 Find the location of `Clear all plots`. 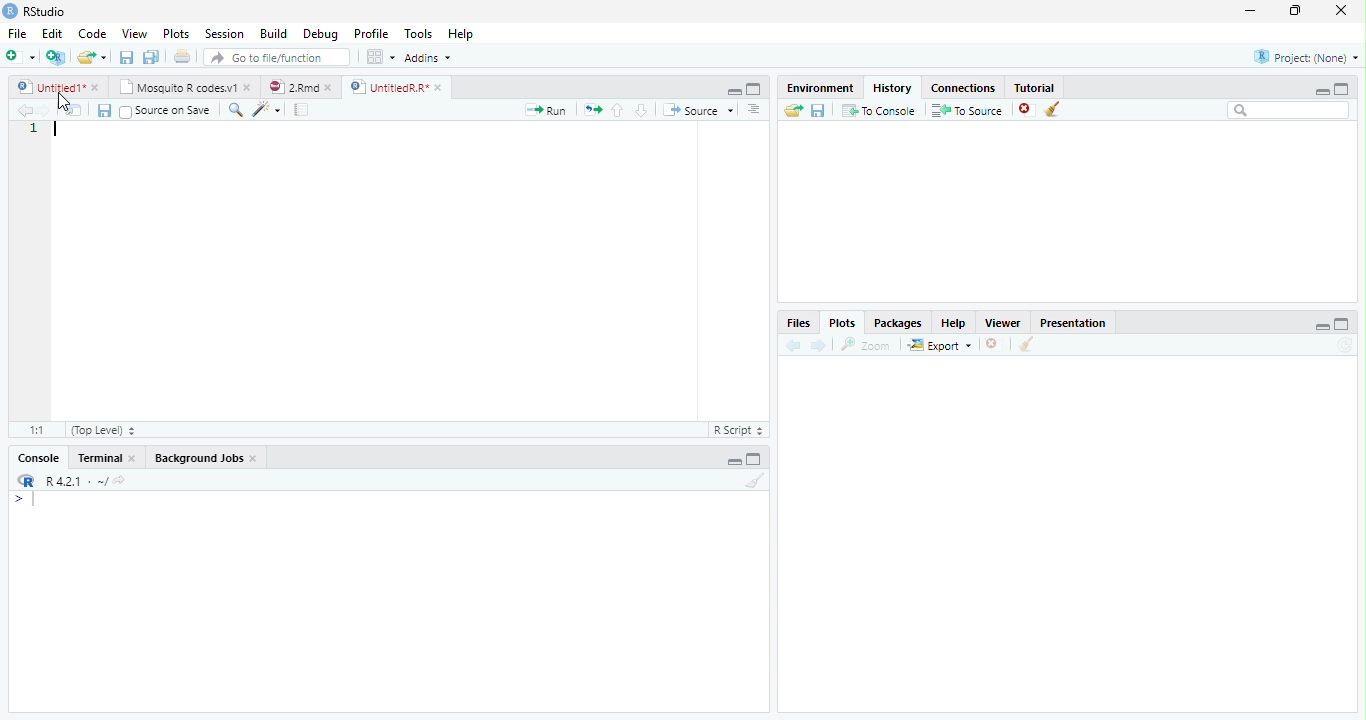

Clear all plots is located at coordinates (1027, 344).